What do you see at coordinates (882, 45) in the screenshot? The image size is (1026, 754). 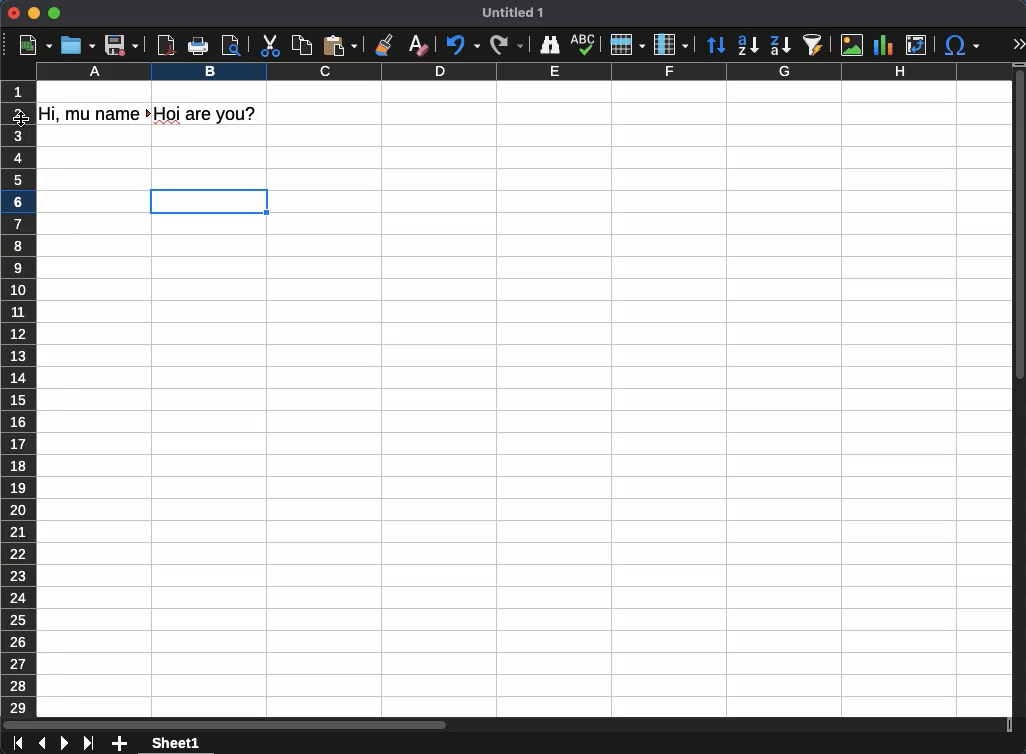 I see `chart` at bounding box center [882, 45].